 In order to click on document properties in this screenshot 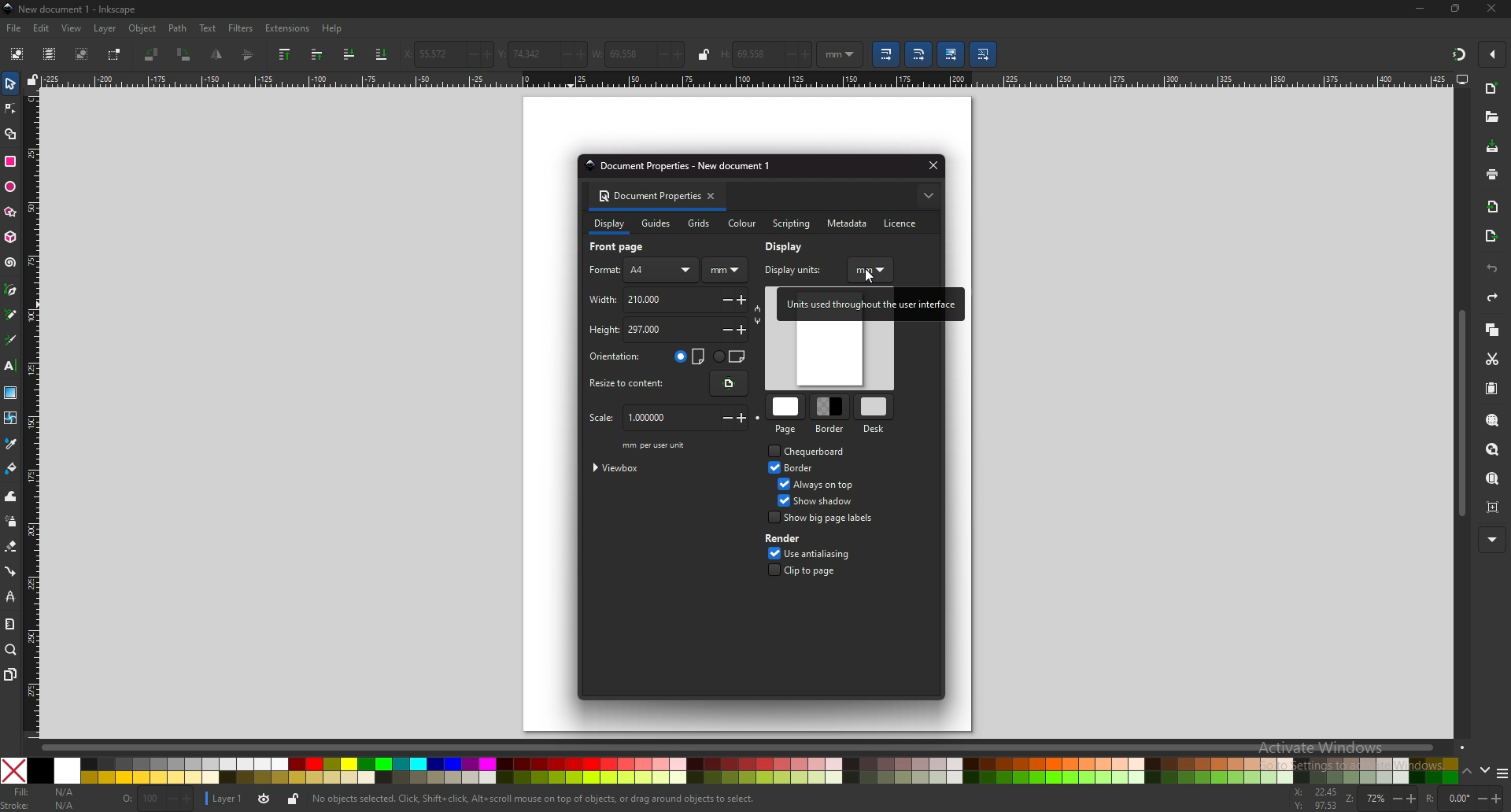, I will do `click(647, 197)`.